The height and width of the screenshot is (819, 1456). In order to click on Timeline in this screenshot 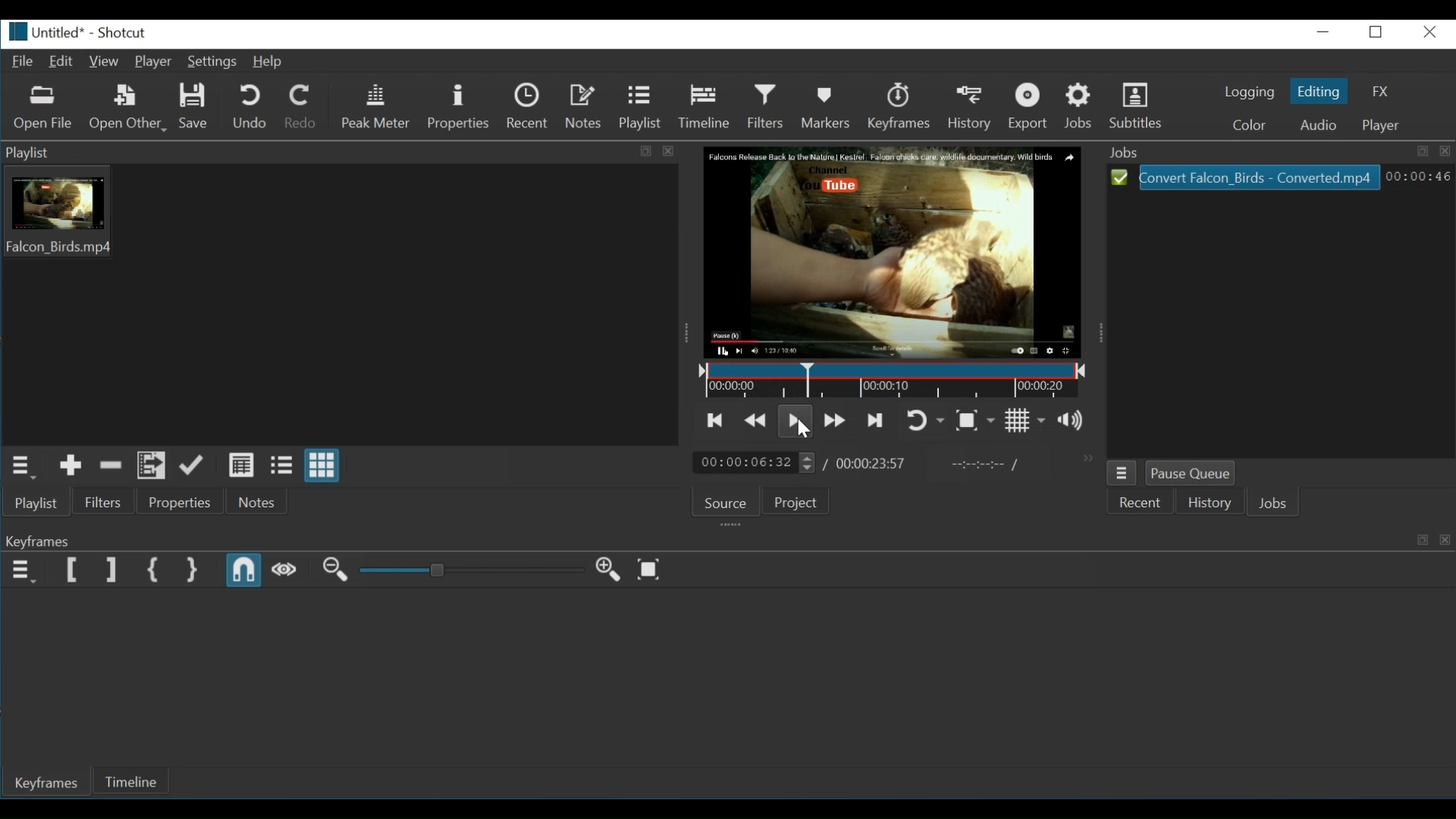, I will do `click(704, 106)`.